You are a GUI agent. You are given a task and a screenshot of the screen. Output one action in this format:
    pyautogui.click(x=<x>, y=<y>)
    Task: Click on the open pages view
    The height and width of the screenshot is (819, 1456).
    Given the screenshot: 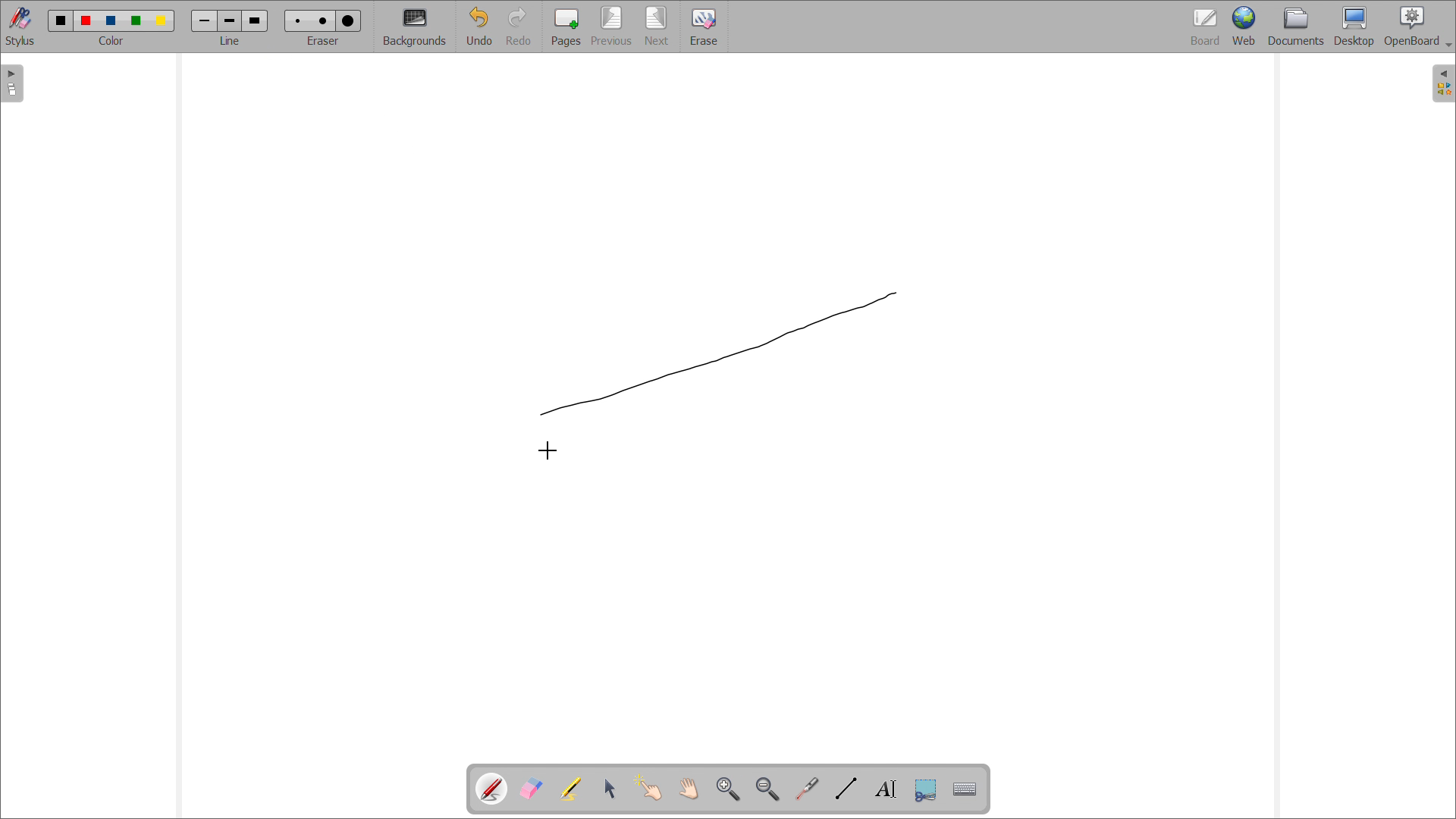 What is the action you would take?
    pyautogui.click(x=13, y=83)
    